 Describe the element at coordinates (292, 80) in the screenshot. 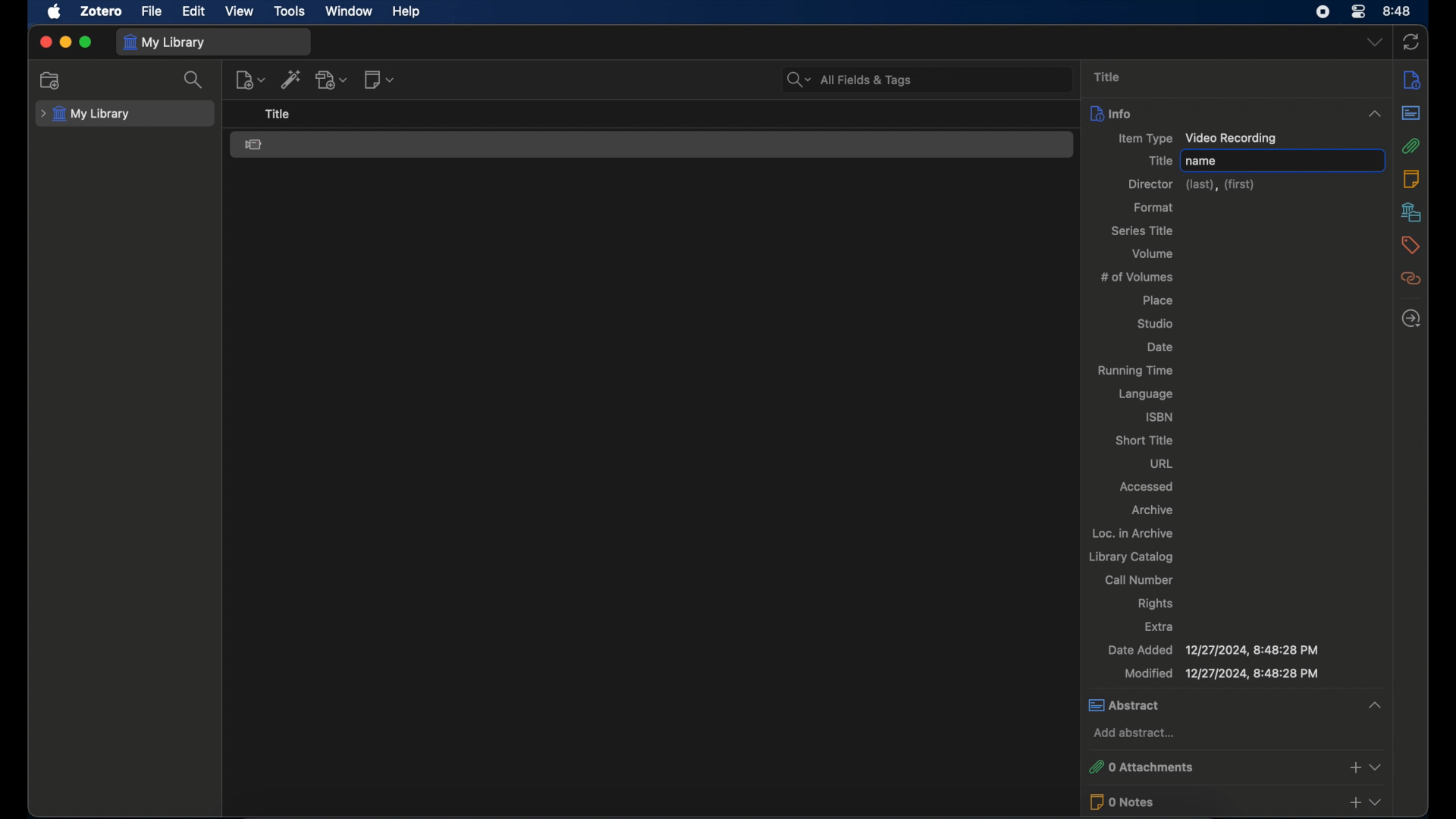

I see `add item by identifier` at that location.